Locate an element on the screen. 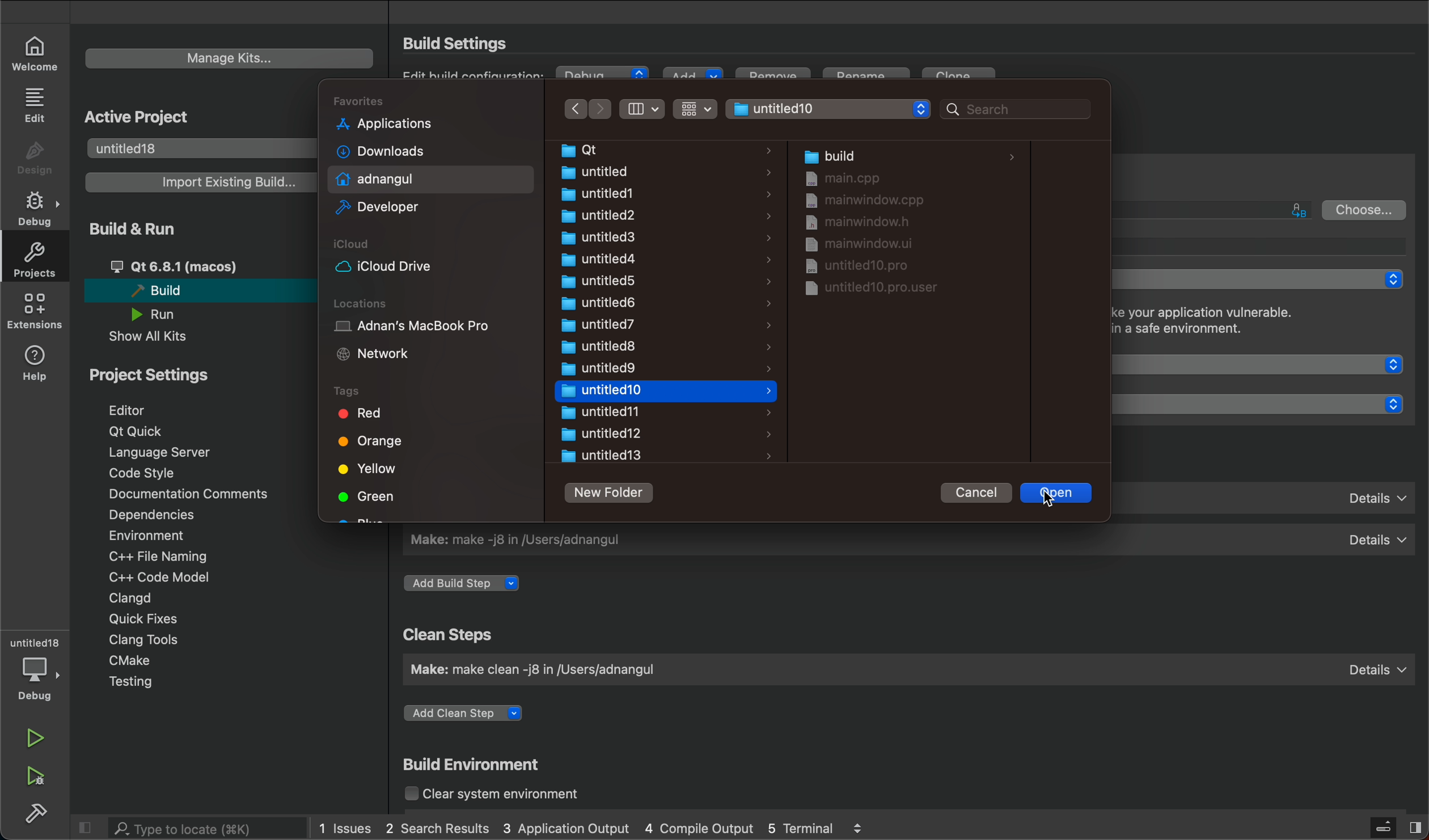 Image resolution: width=1429 pixels, height=840 pixels. Orange is located at coordinates (367, 441).